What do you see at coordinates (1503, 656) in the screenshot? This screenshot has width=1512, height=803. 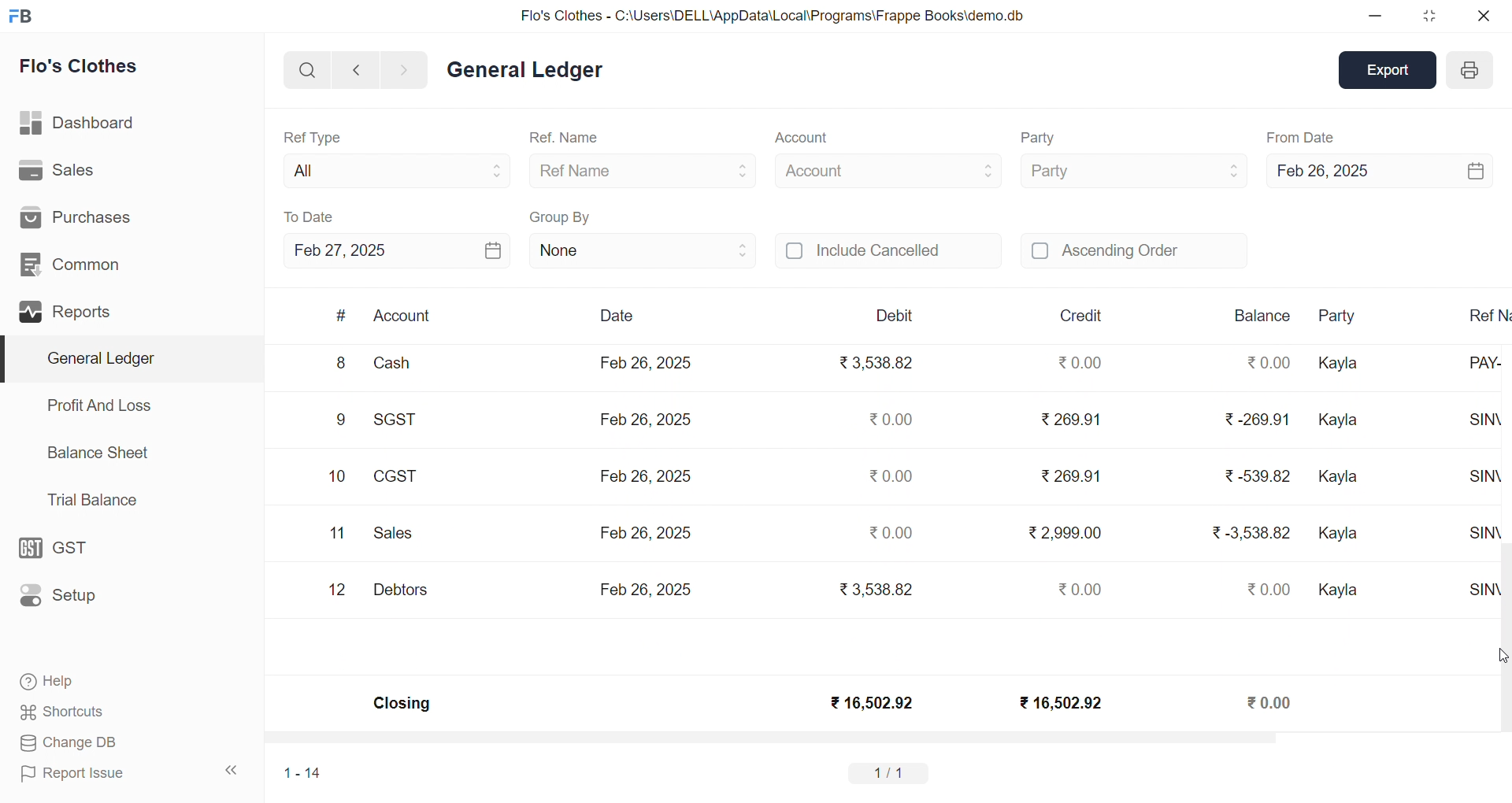 I see `CURSOR` at bounding box center [1503, 656].